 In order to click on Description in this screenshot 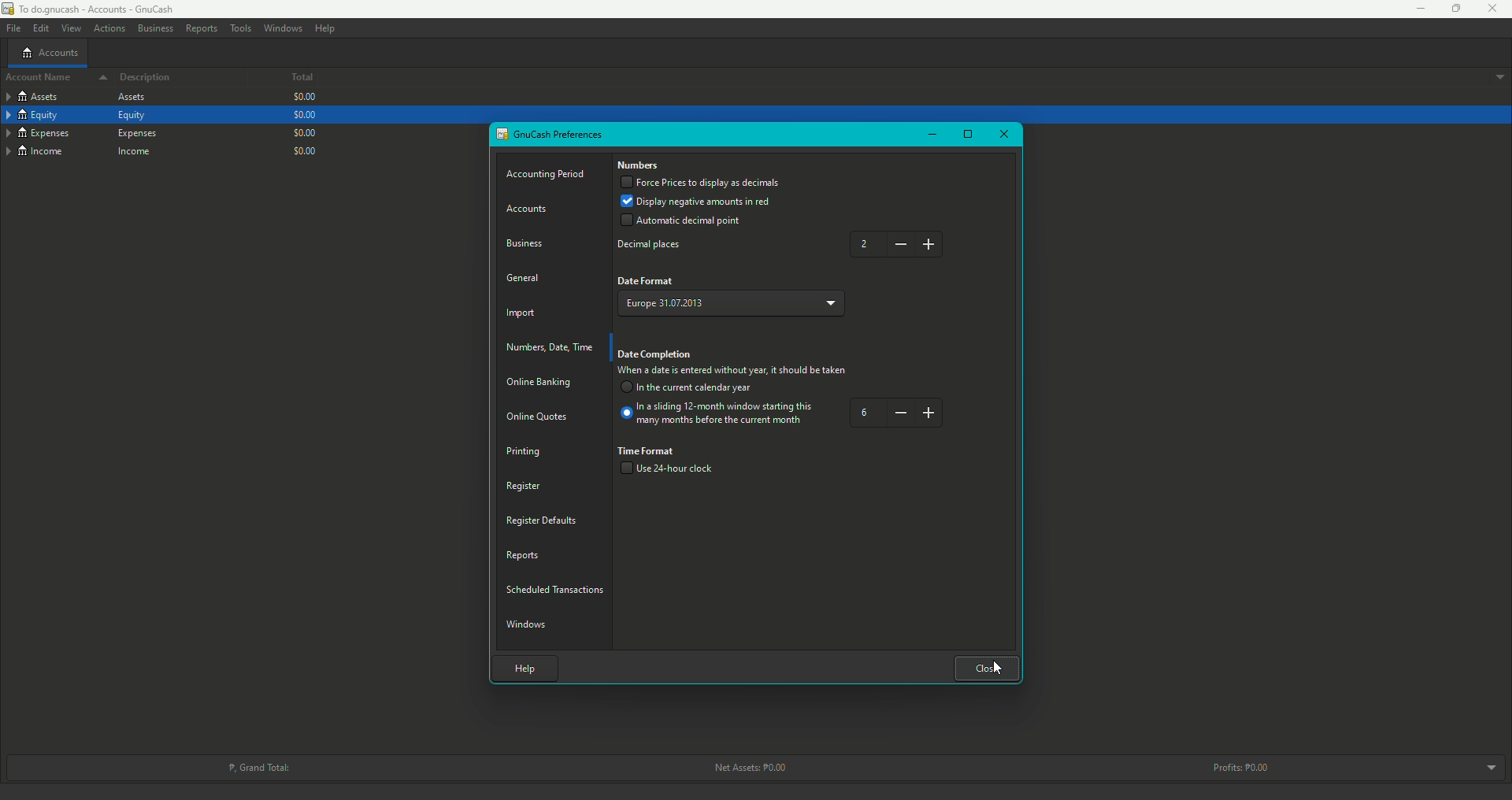, I will do `click(146, 78)`.